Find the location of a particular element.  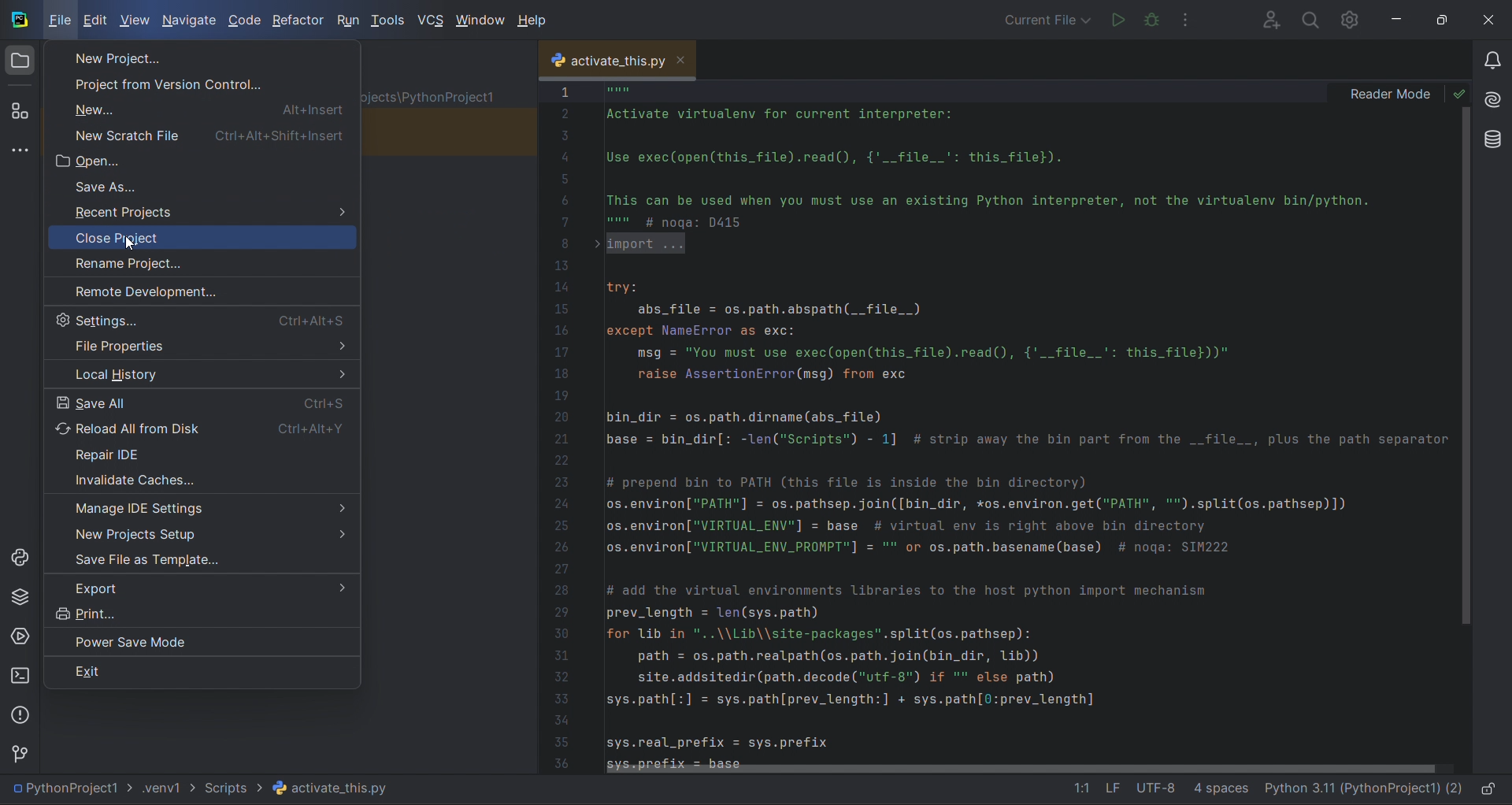

save as is located at coordinates (205, 185).